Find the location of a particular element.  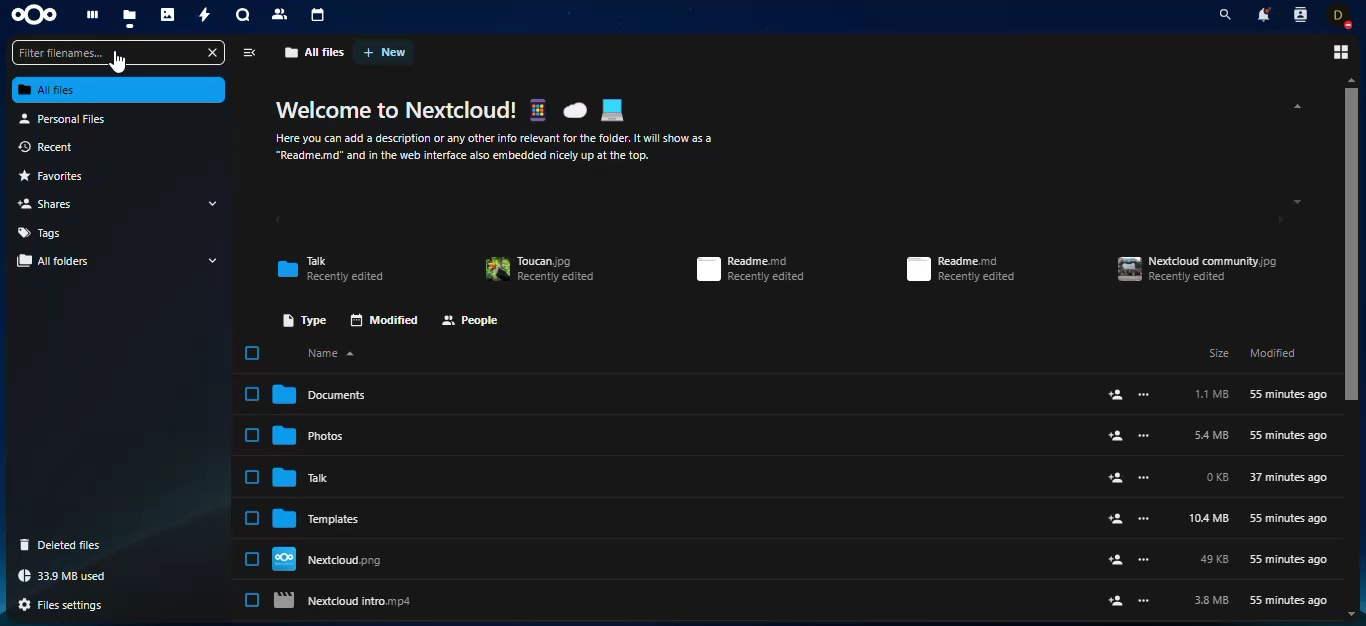

add is located at coordinates (1116, 394).